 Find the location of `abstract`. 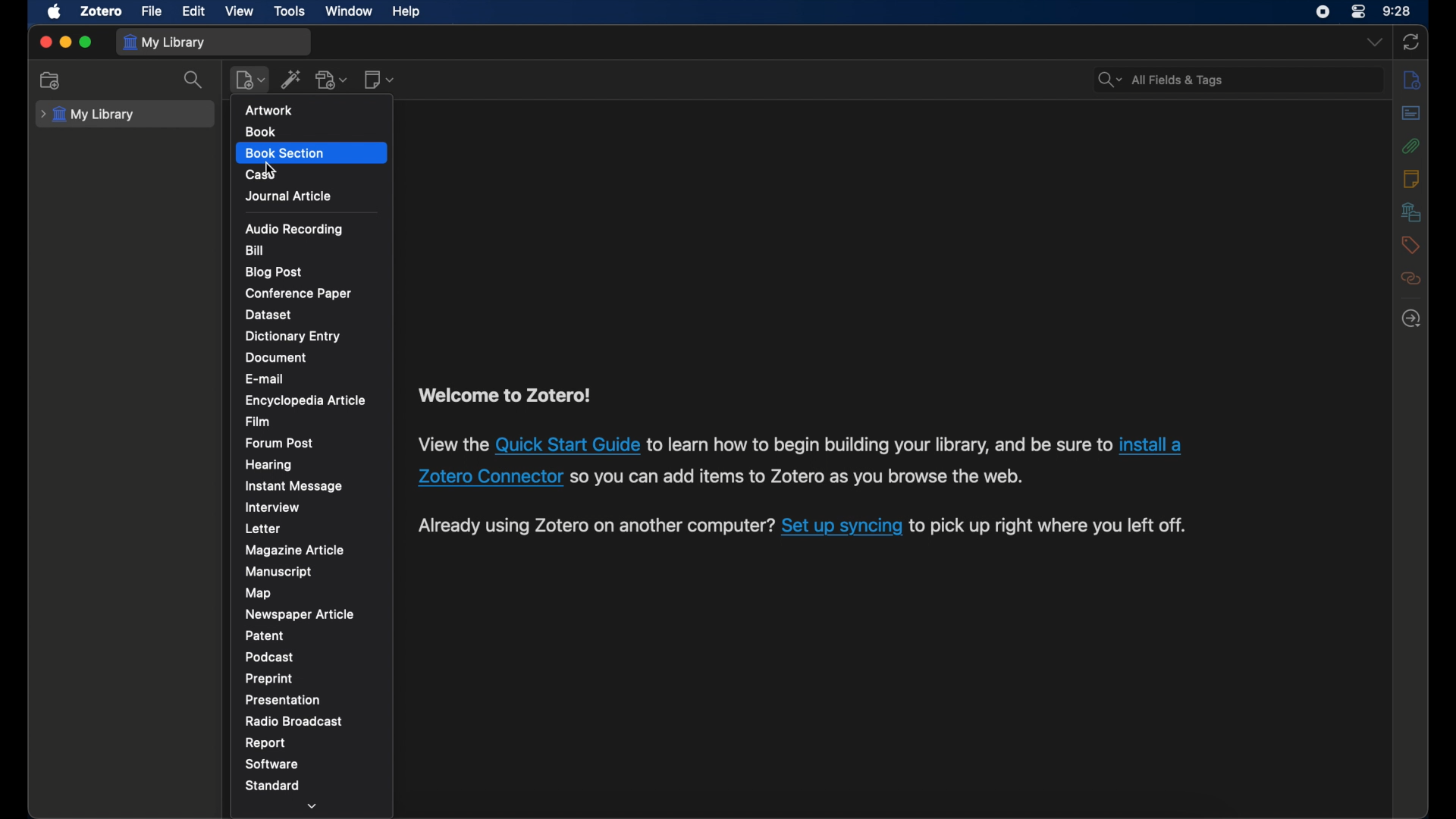

abstract is located at coordinates (1411, 113).